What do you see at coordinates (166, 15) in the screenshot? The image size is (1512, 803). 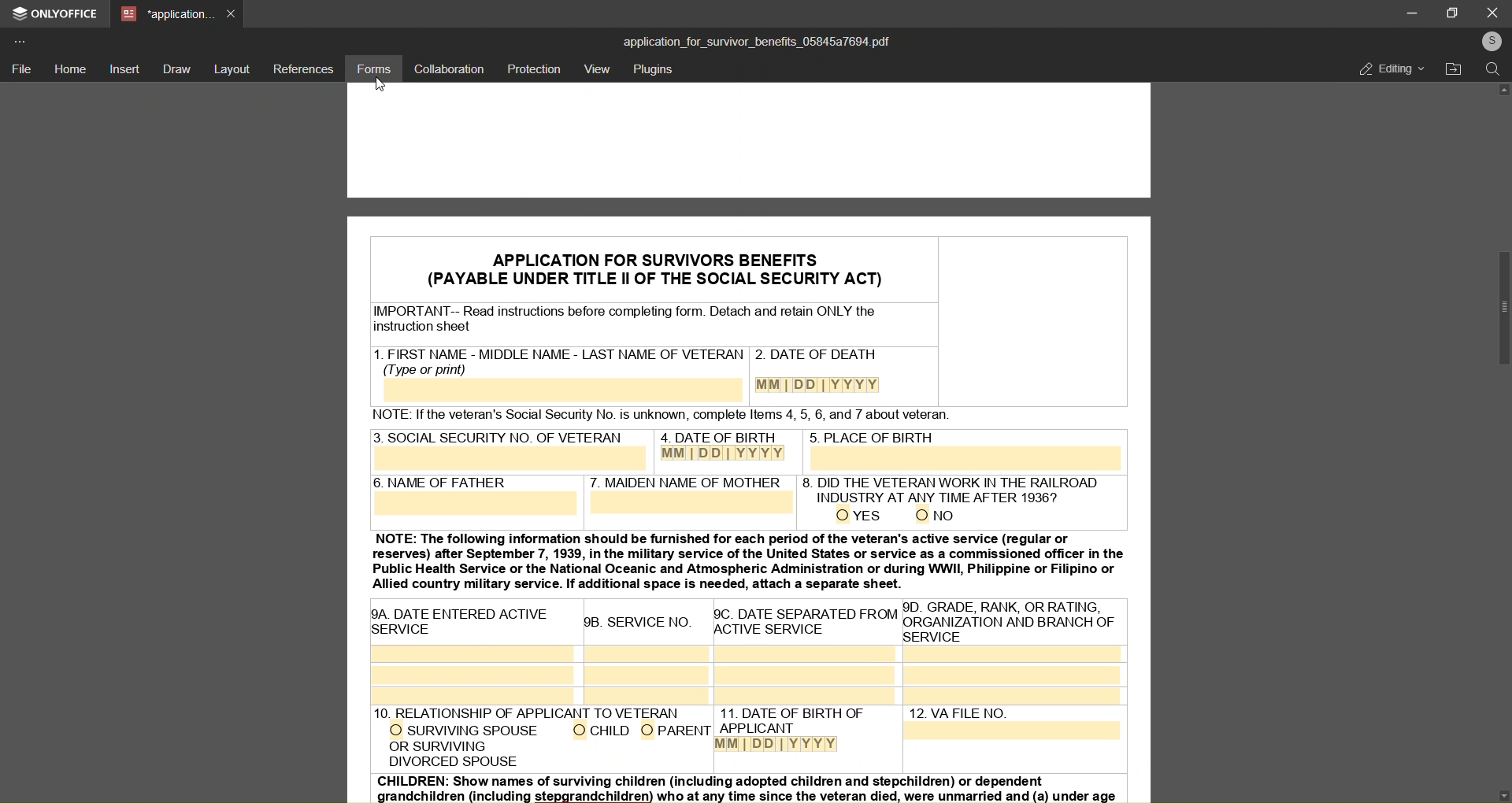 I see `tab name` at bounding box center [166, 15].